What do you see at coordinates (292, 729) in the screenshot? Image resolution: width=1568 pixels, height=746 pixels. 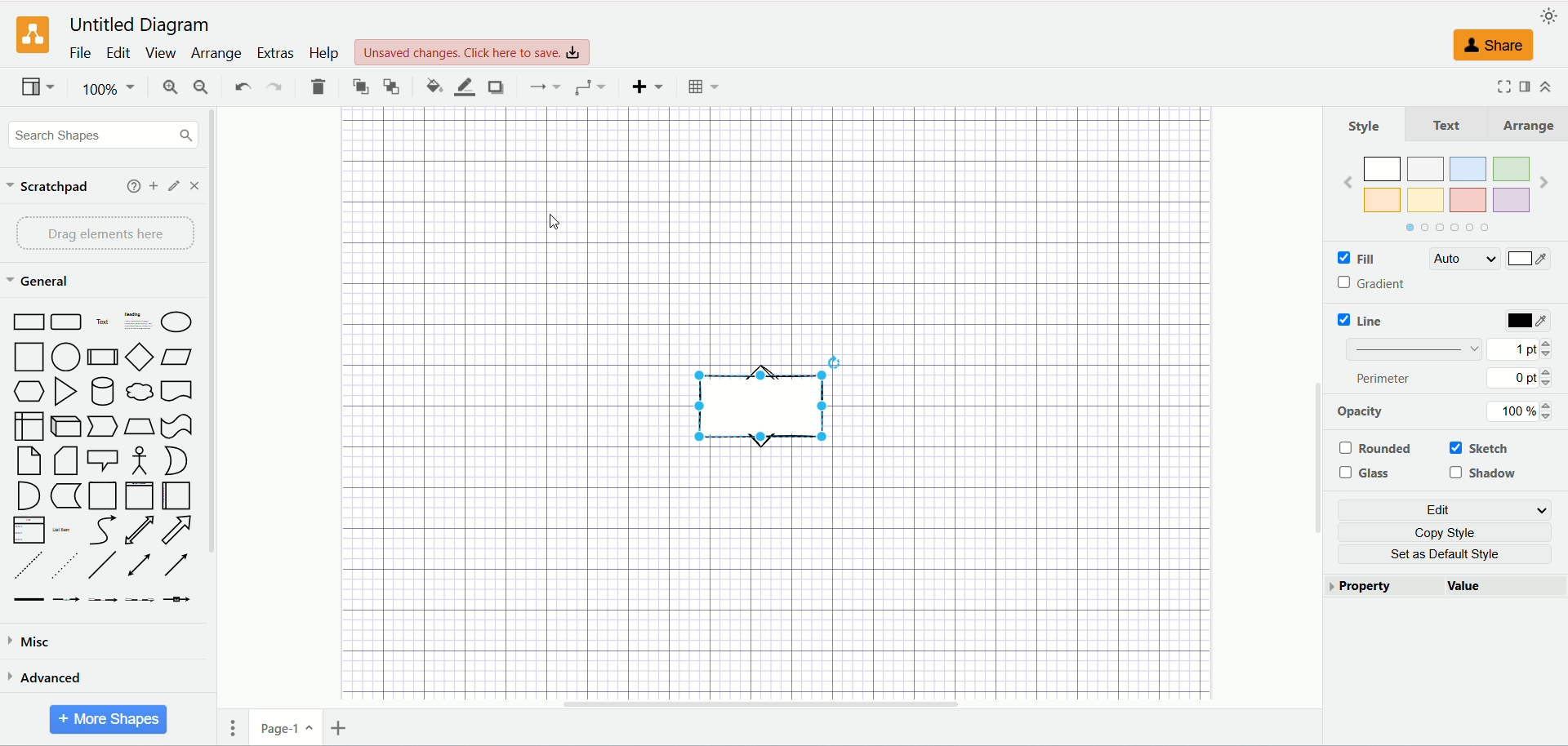 I see `page1` at bounding box center [292, 729].